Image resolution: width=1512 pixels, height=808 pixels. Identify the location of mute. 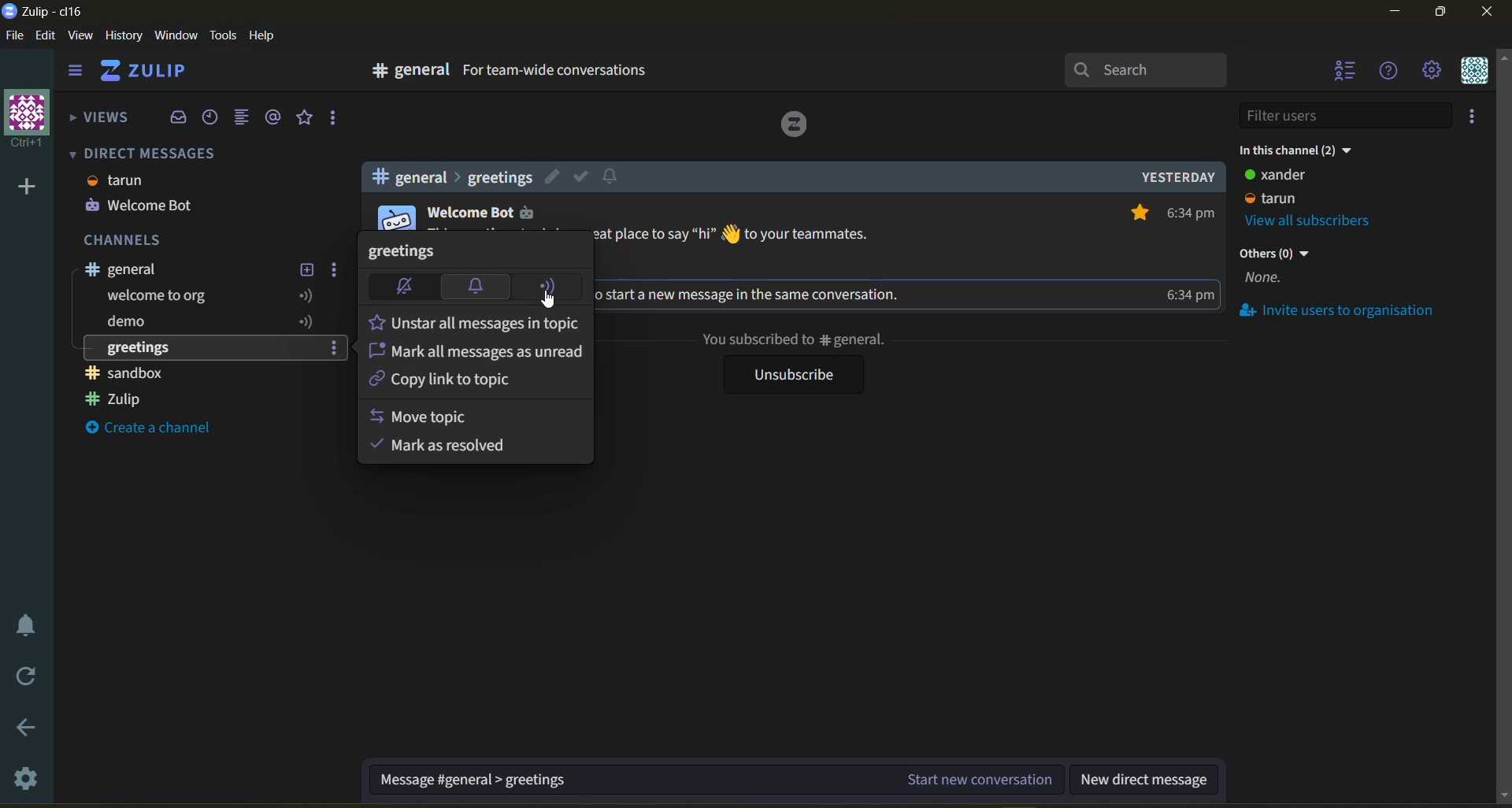
(399, 286).